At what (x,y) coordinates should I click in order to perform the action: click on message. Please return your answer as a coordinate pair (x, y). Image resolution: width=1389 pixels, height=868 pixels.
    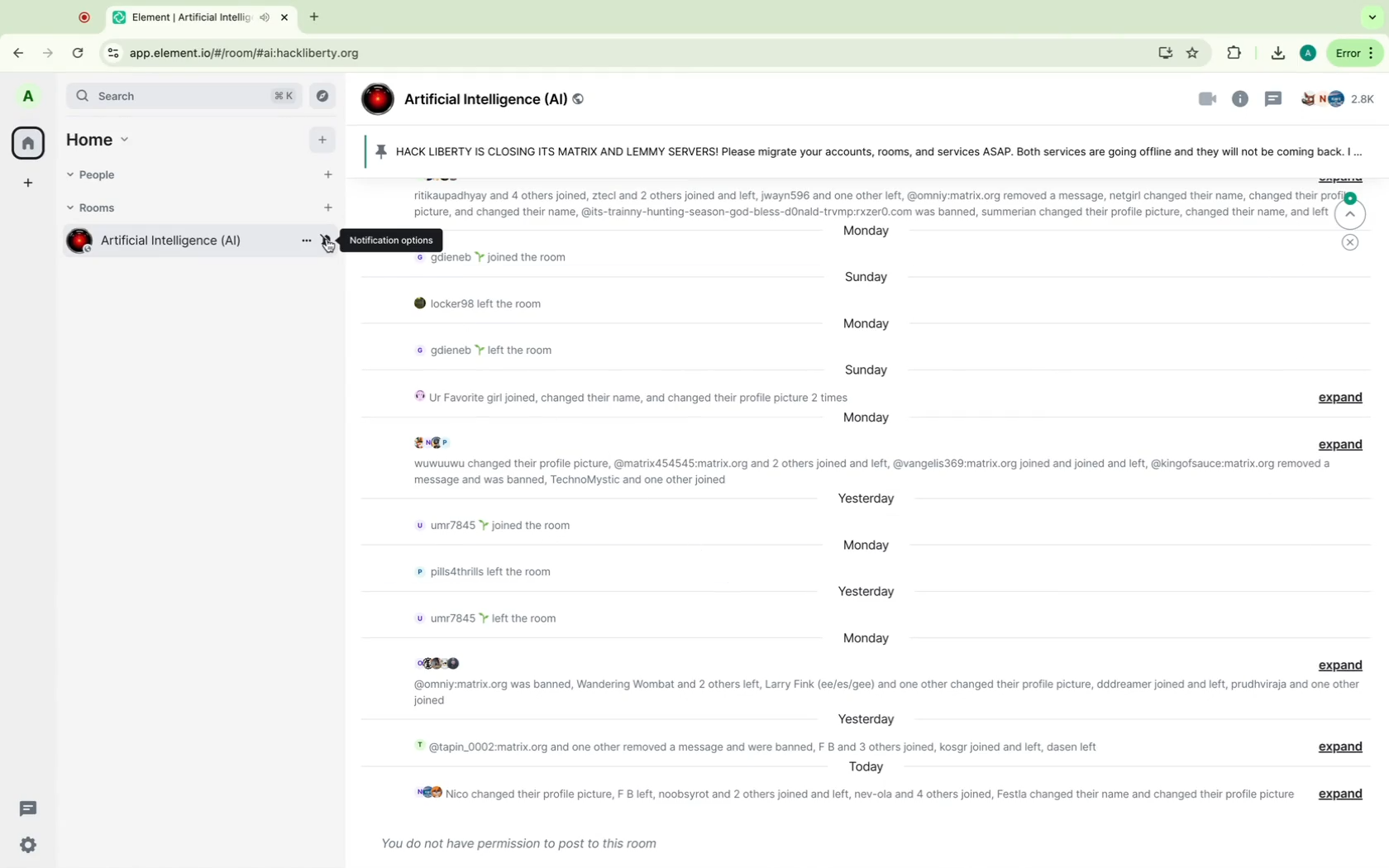
    Looking at the image, I should click on (756, 747).